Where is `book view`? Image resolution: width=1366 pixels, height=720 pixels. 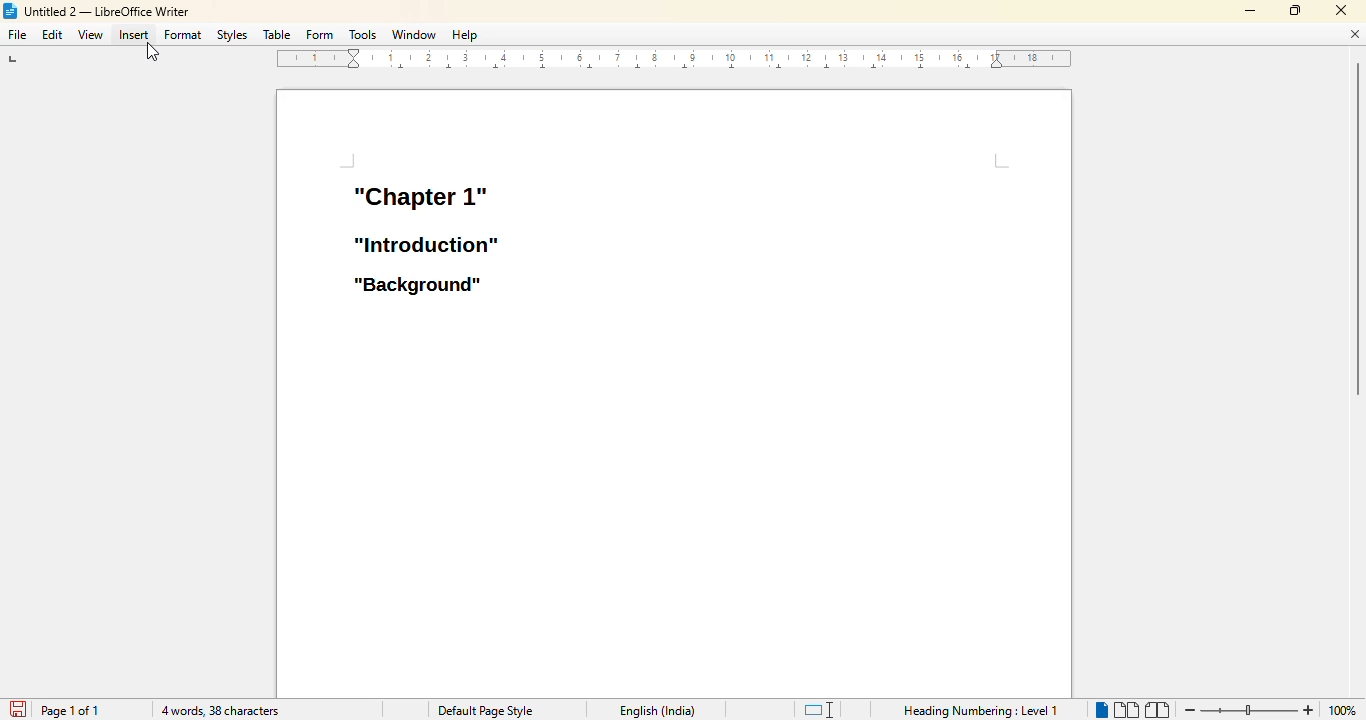
book view is located at coordinates (1157, 710).